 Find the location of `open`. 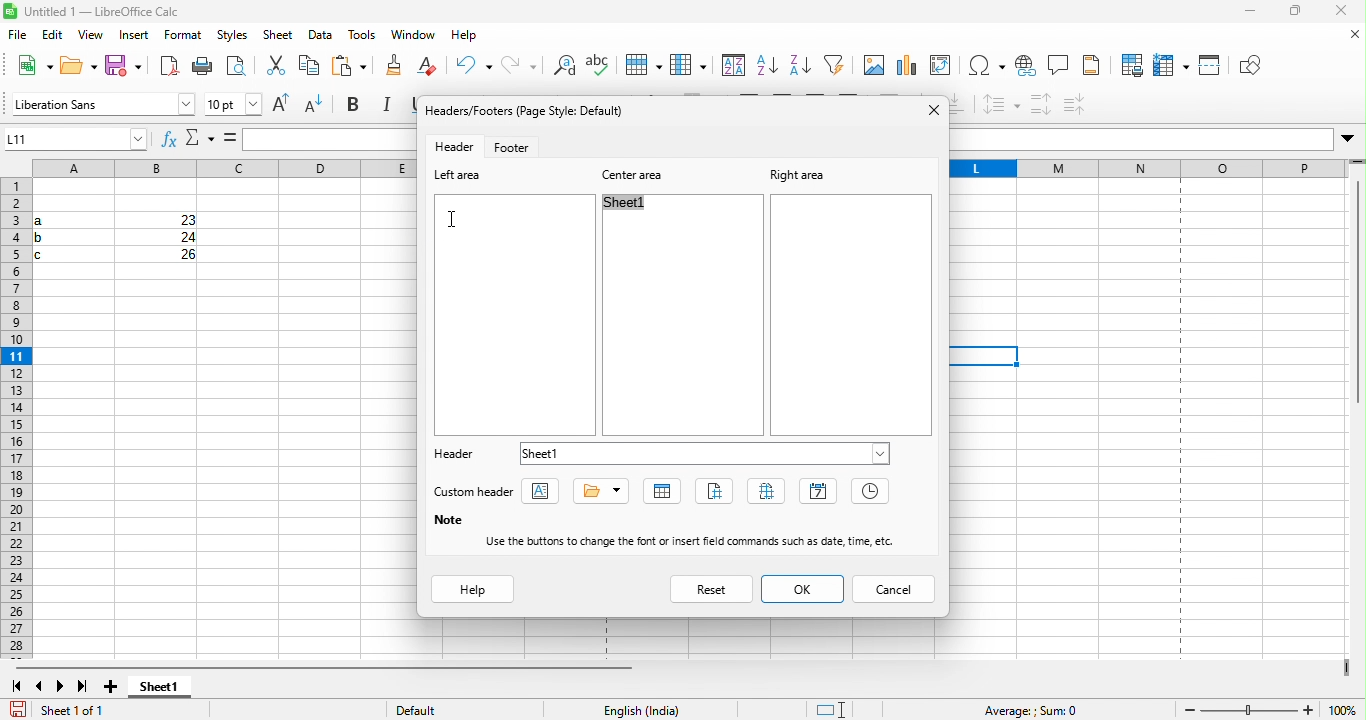

open is located at coordinates (78, 67).